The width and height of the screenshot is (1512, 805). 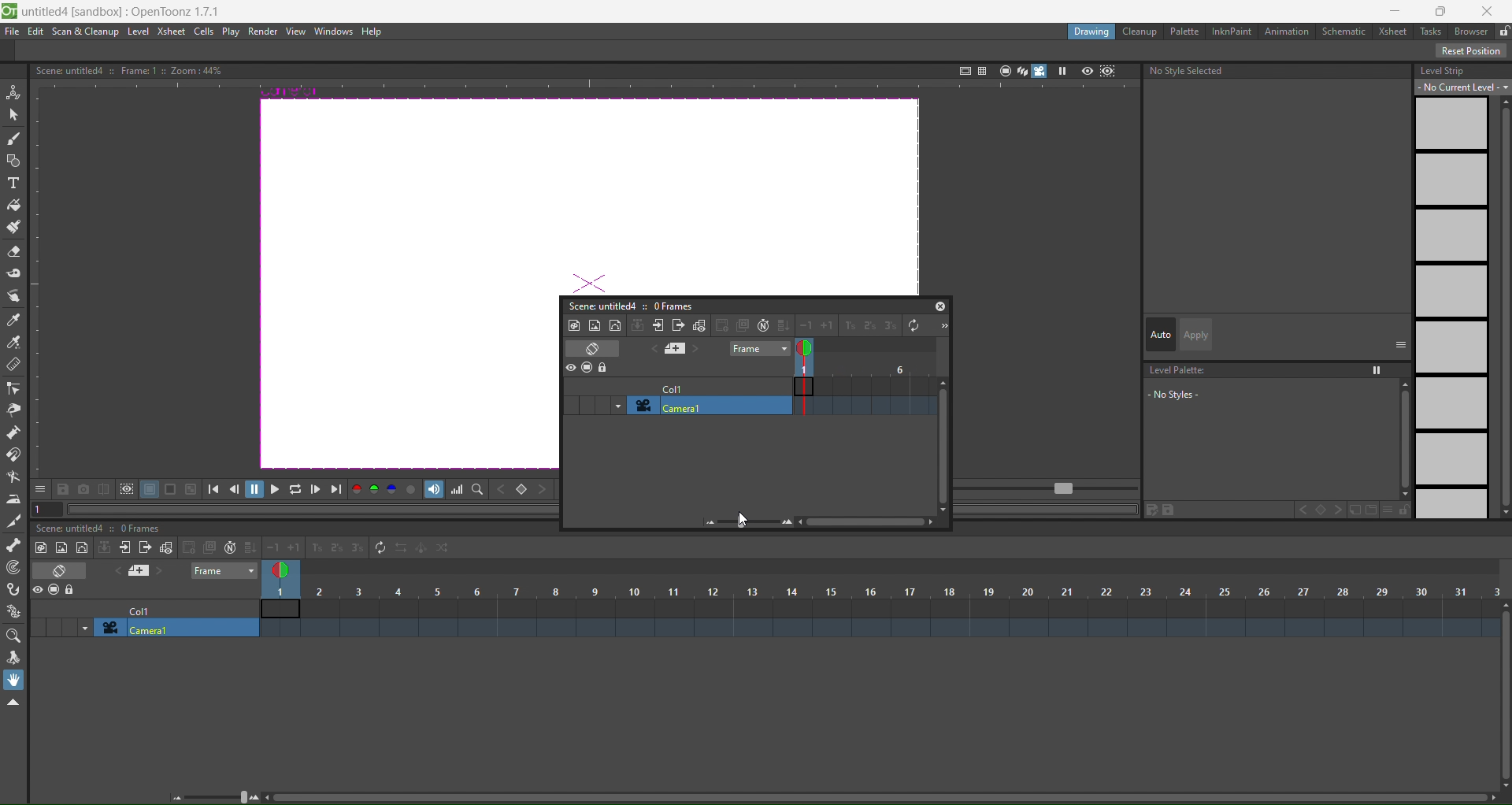 I want to click on view, so click(x=295, y=32).